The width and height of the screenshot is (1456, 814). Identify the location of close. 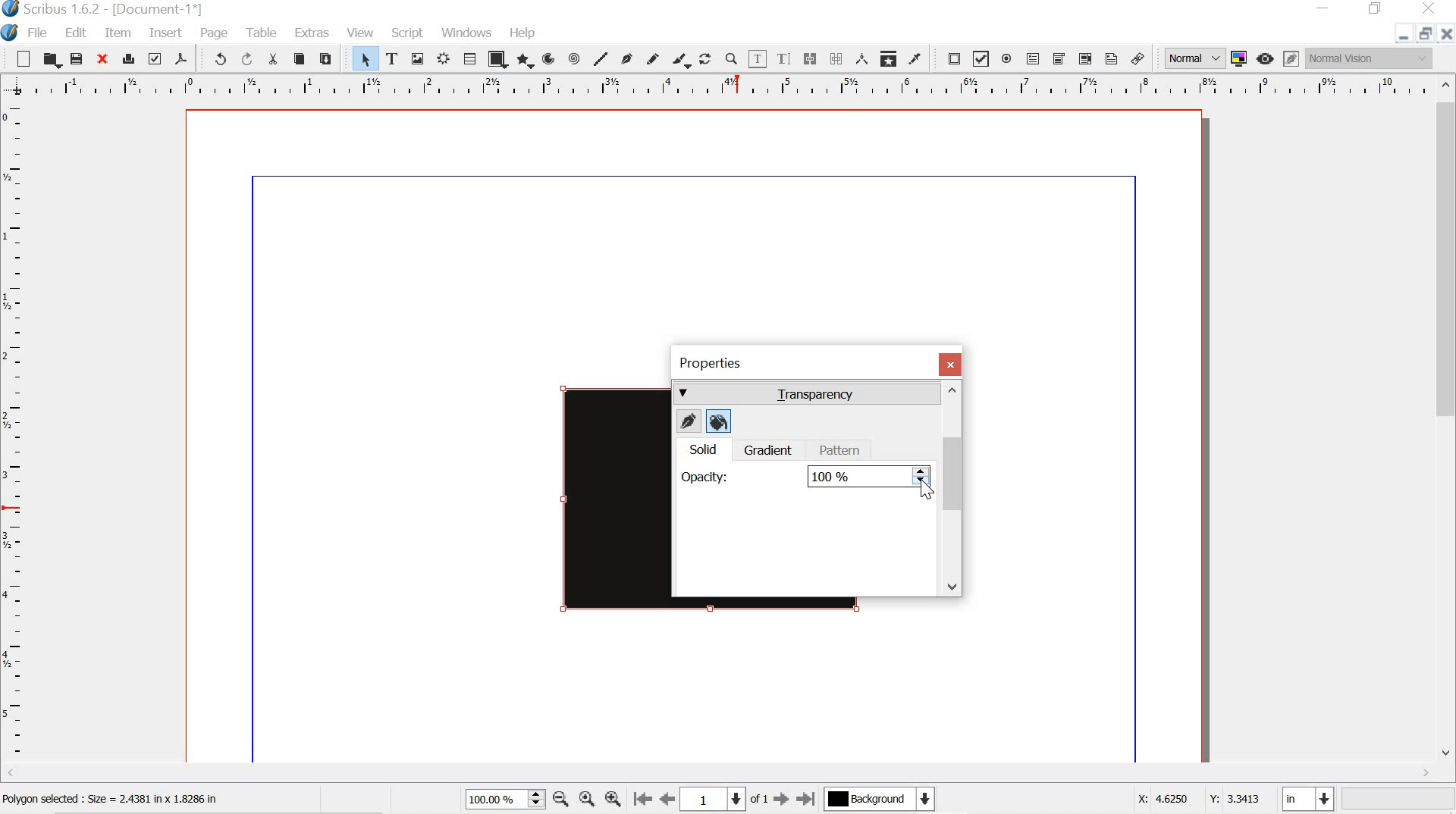
(951, 365).